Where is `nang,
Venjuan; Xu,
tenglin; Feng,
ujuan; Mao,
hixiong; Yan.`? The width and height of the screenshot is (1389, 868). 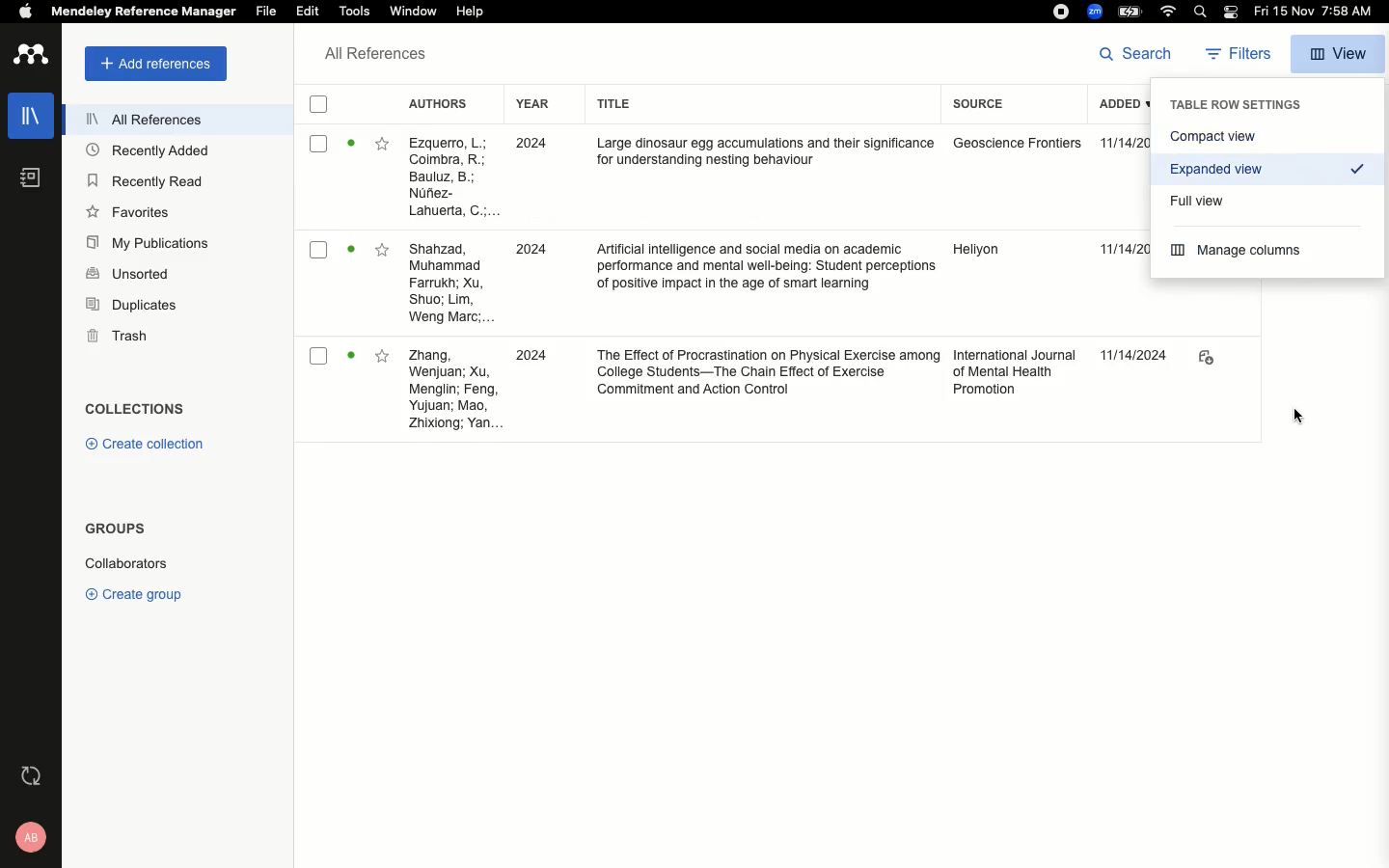
nang,
Venjuan; Xu,
tenglin; Feng,
ujuan; Mao,
hixiong; Yan. is located at coordinates (450, 390).